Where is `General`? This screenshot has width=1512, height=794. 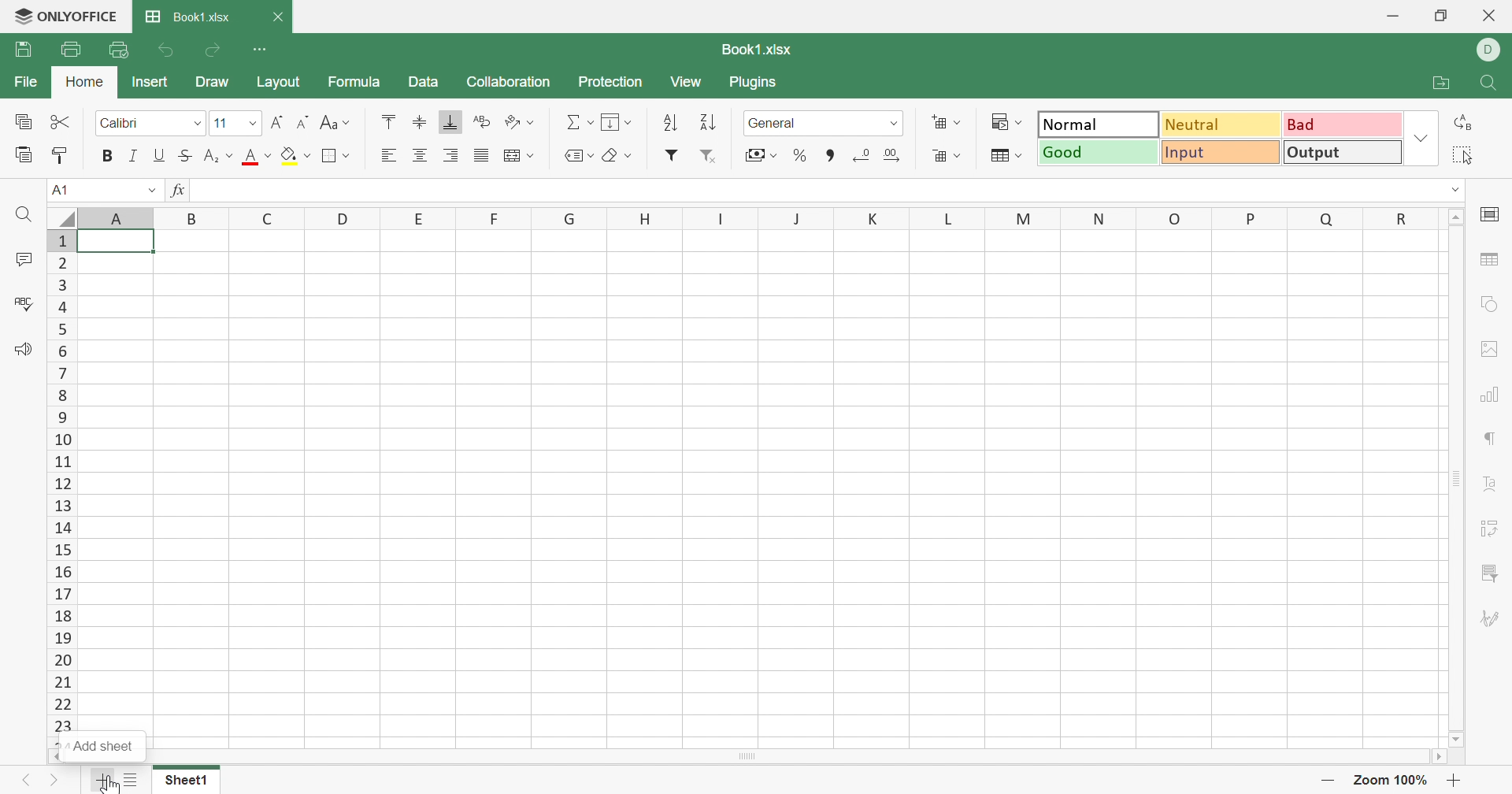 General is located at coordinates (773, 123).